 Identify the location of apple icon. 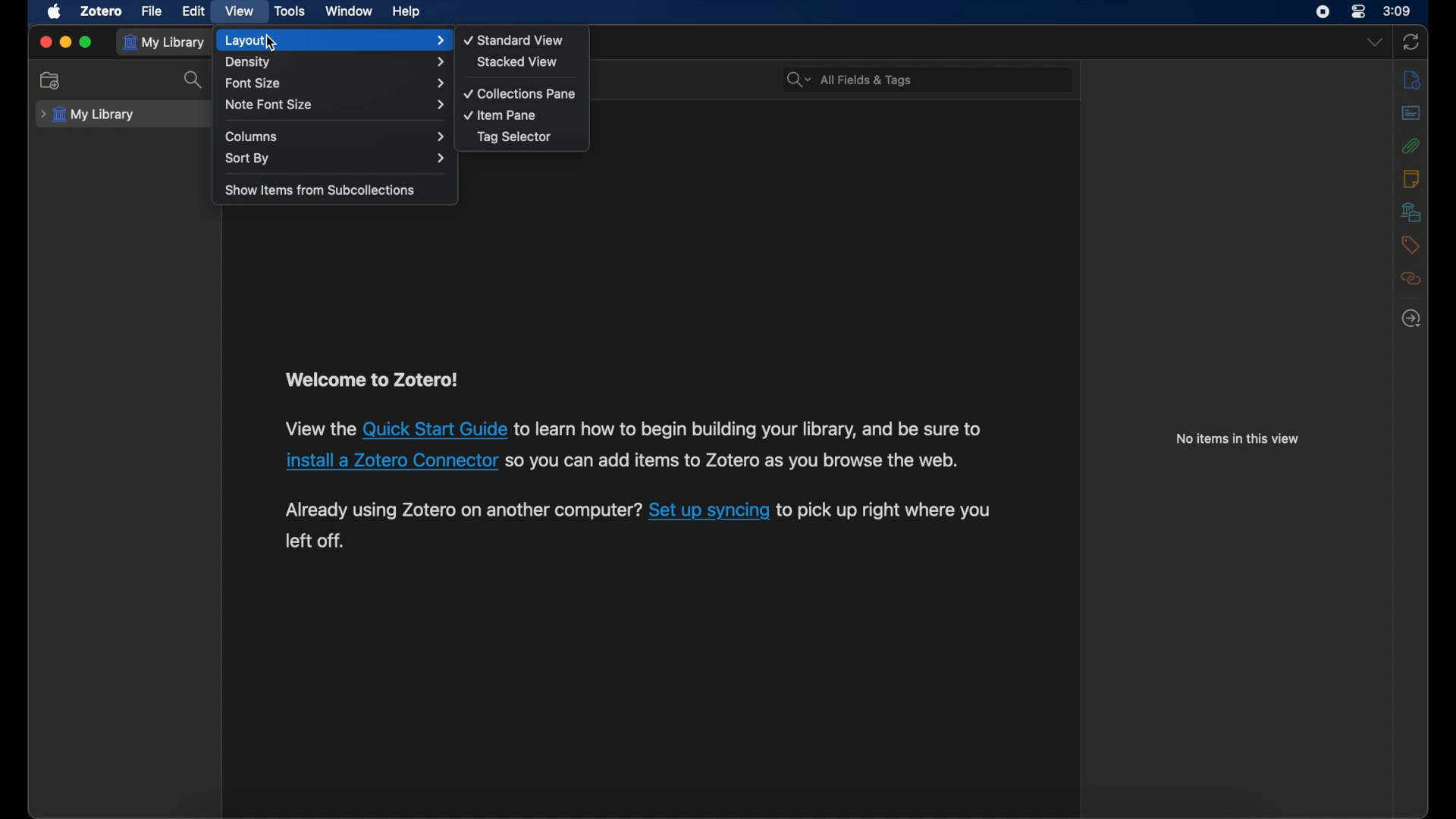
(56, 12).